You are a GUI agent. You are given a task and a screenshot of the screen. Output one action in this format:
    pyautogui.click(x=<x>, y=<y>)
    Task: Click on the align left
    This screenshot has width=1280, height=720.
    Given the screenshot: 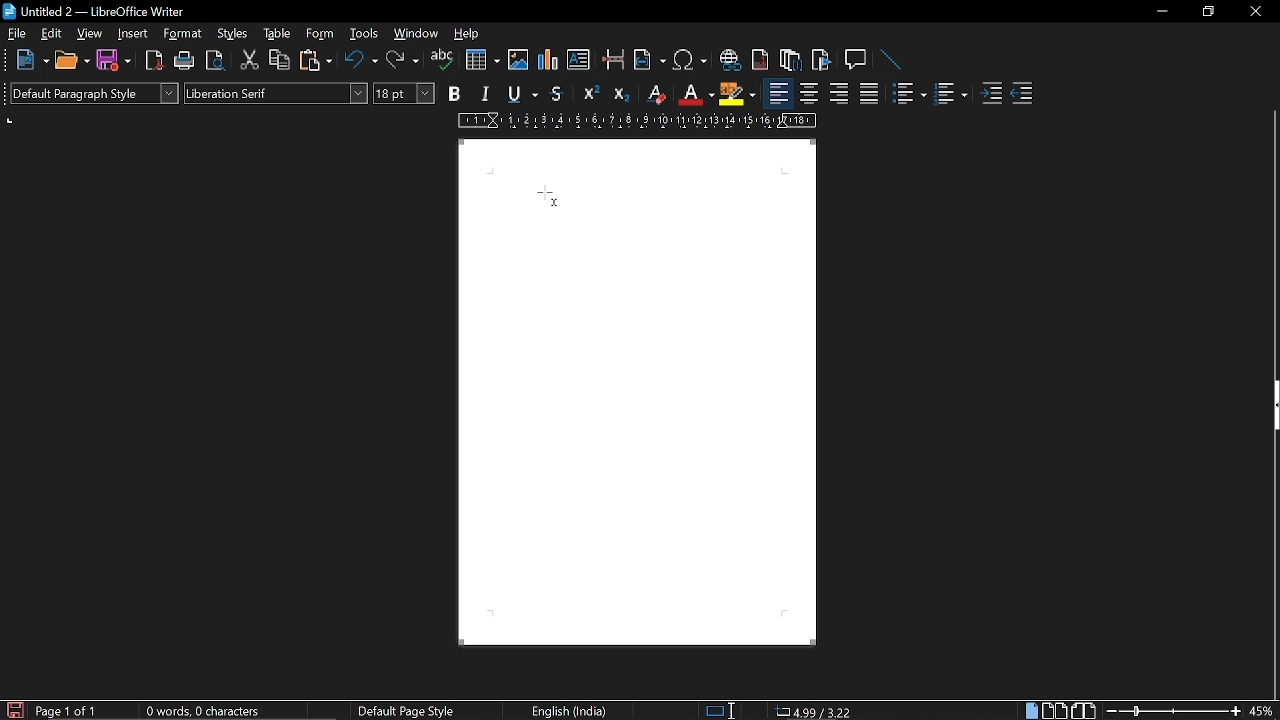 What is the action you would take?
    pyautogui.click(x=778, y=94)
    